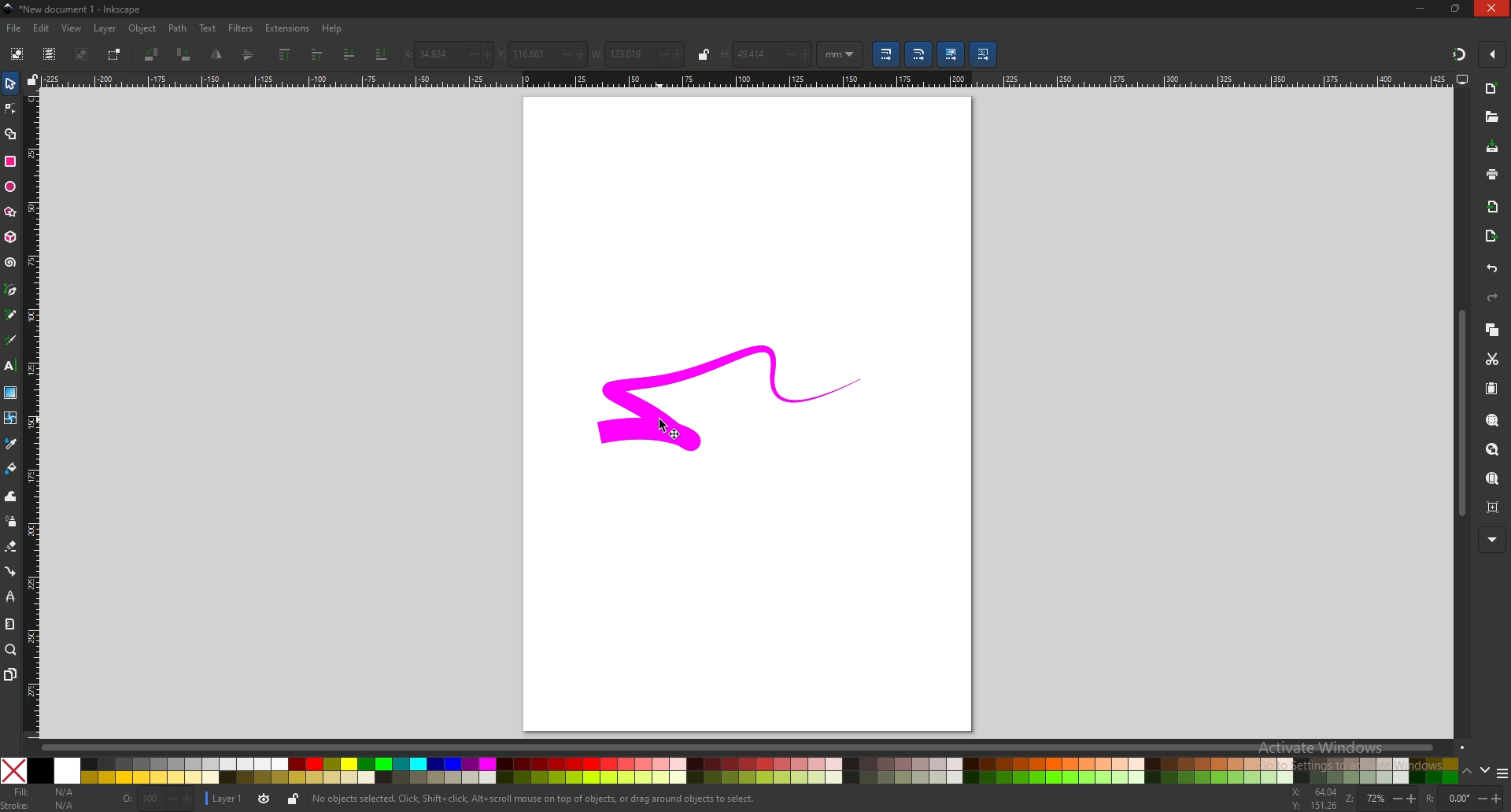 The image size is (1511, 812). I want to click on help, so click(334, 28).